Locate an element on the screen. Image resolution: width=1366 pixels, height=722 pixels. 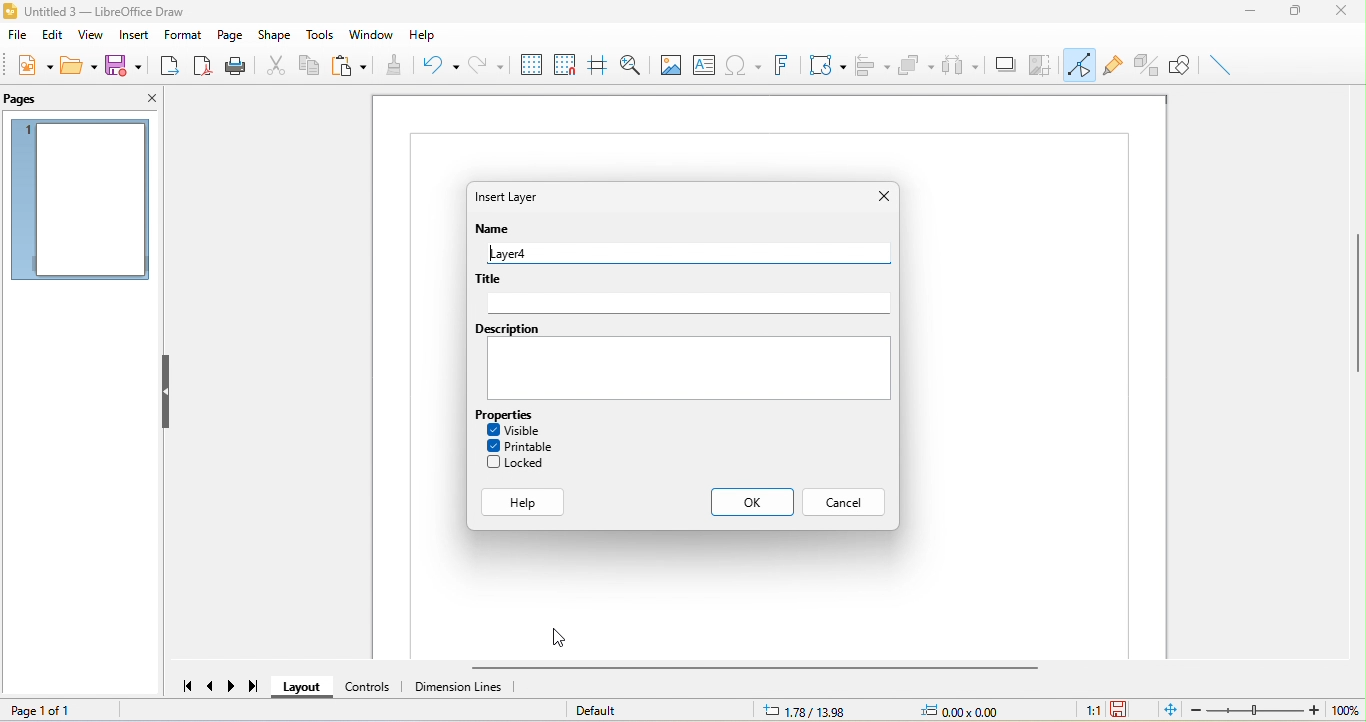
help is located at coordinates (428, 31).